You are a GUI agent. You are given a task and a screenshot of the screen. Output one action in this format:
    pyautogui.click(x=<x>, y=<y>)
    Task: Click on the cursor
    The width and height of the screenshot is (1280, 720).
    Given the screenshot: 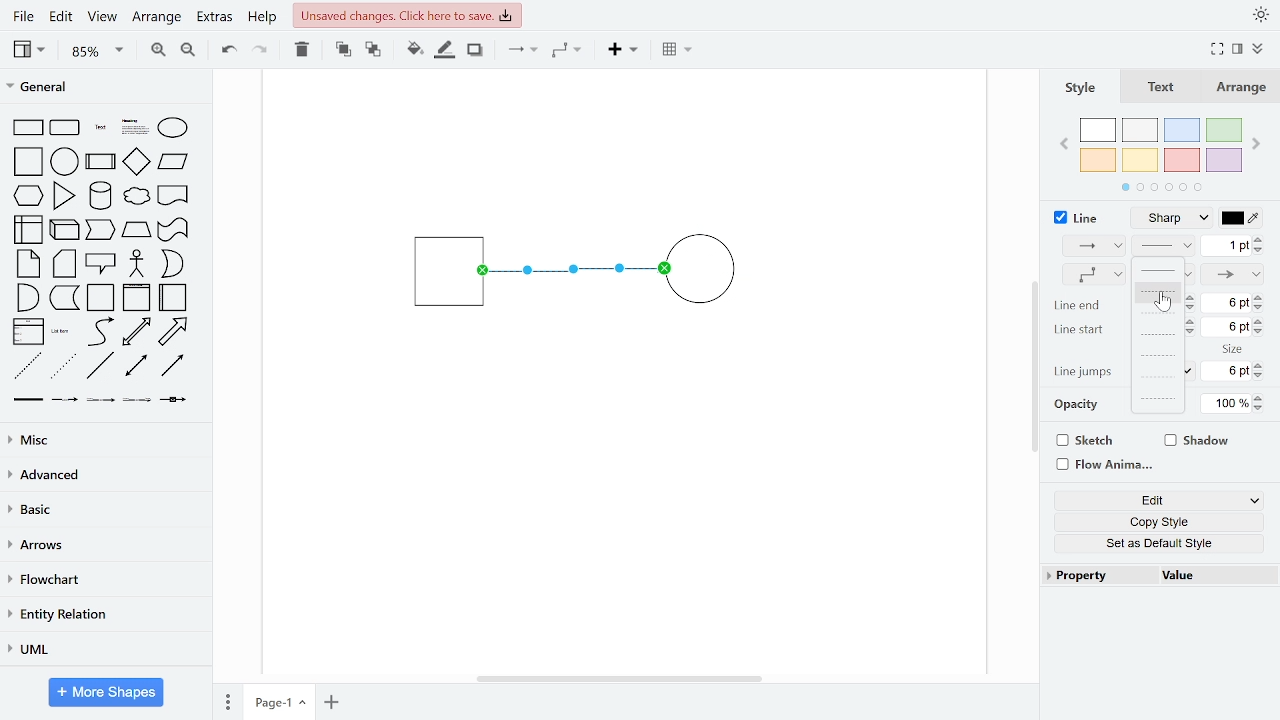 What is the action you would take?
    pyautogui.click(x=1166, y=303)
    